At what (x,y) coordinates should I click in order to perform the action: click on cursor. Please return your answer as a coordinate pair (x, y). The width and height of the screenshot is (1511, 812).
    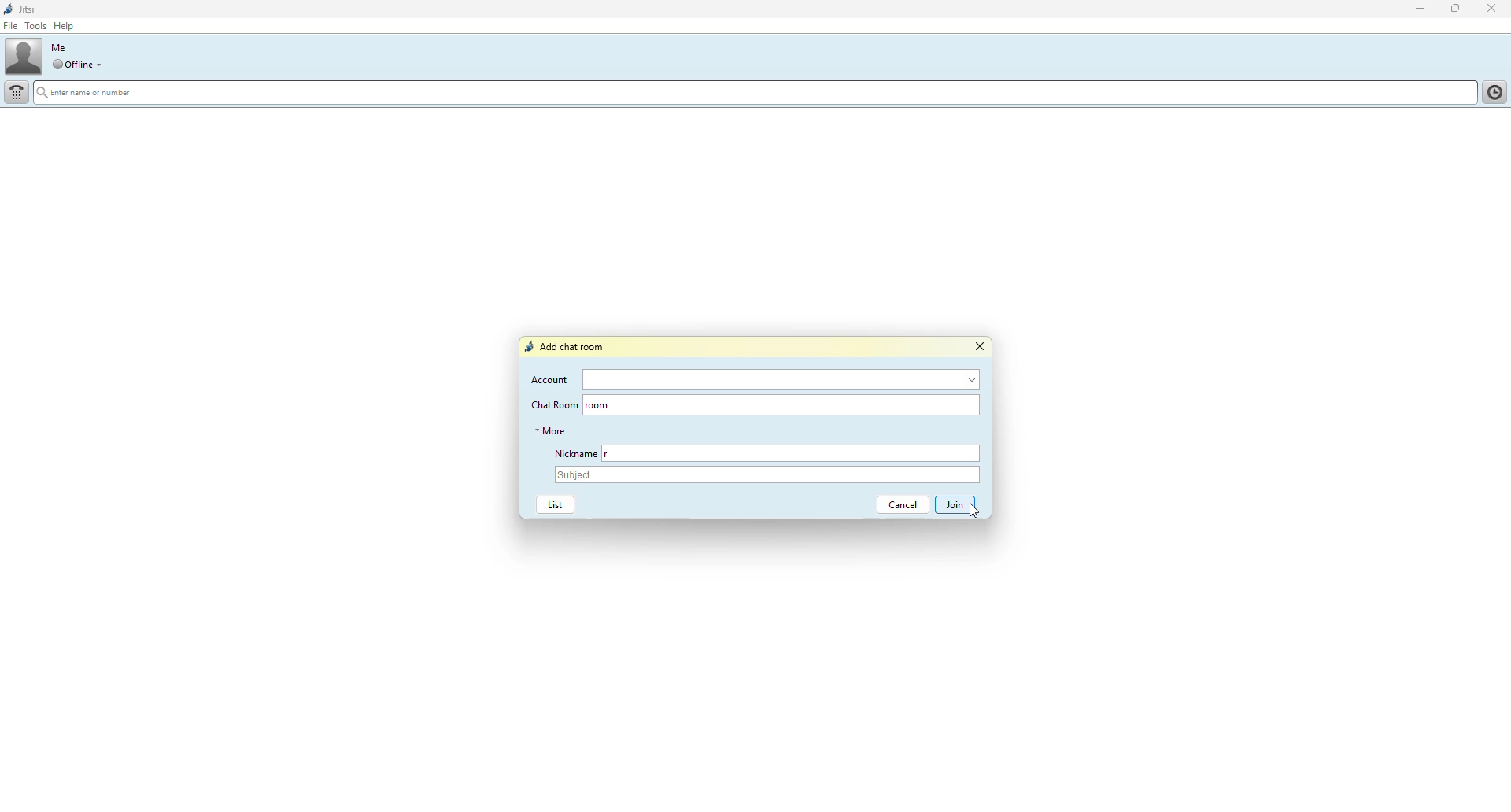
    Looking at the image, I should click on (970, 512).